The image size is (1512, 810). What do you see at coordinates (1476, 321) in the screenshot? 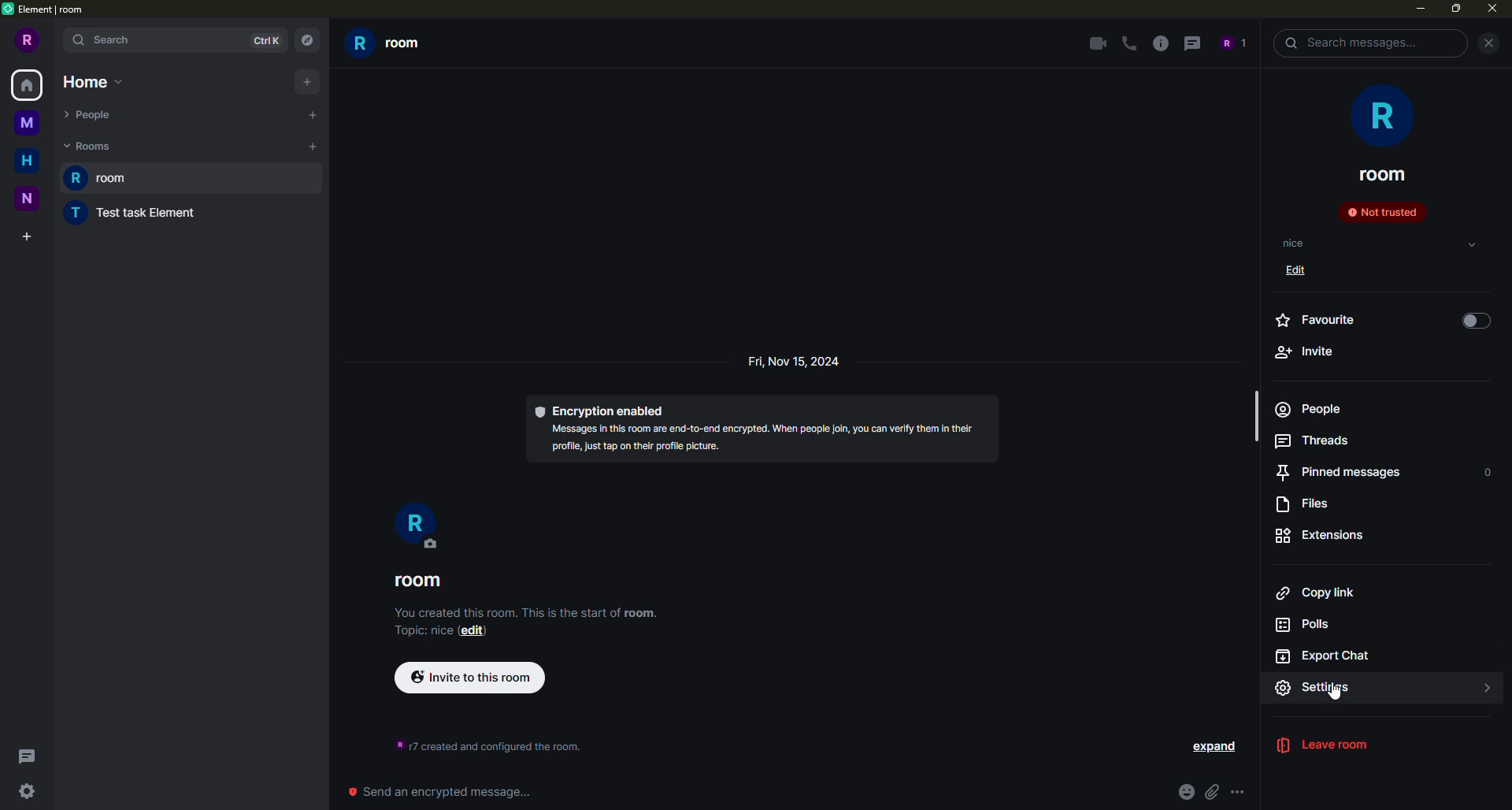
I see `enable` at bounding box center [1476, 321].